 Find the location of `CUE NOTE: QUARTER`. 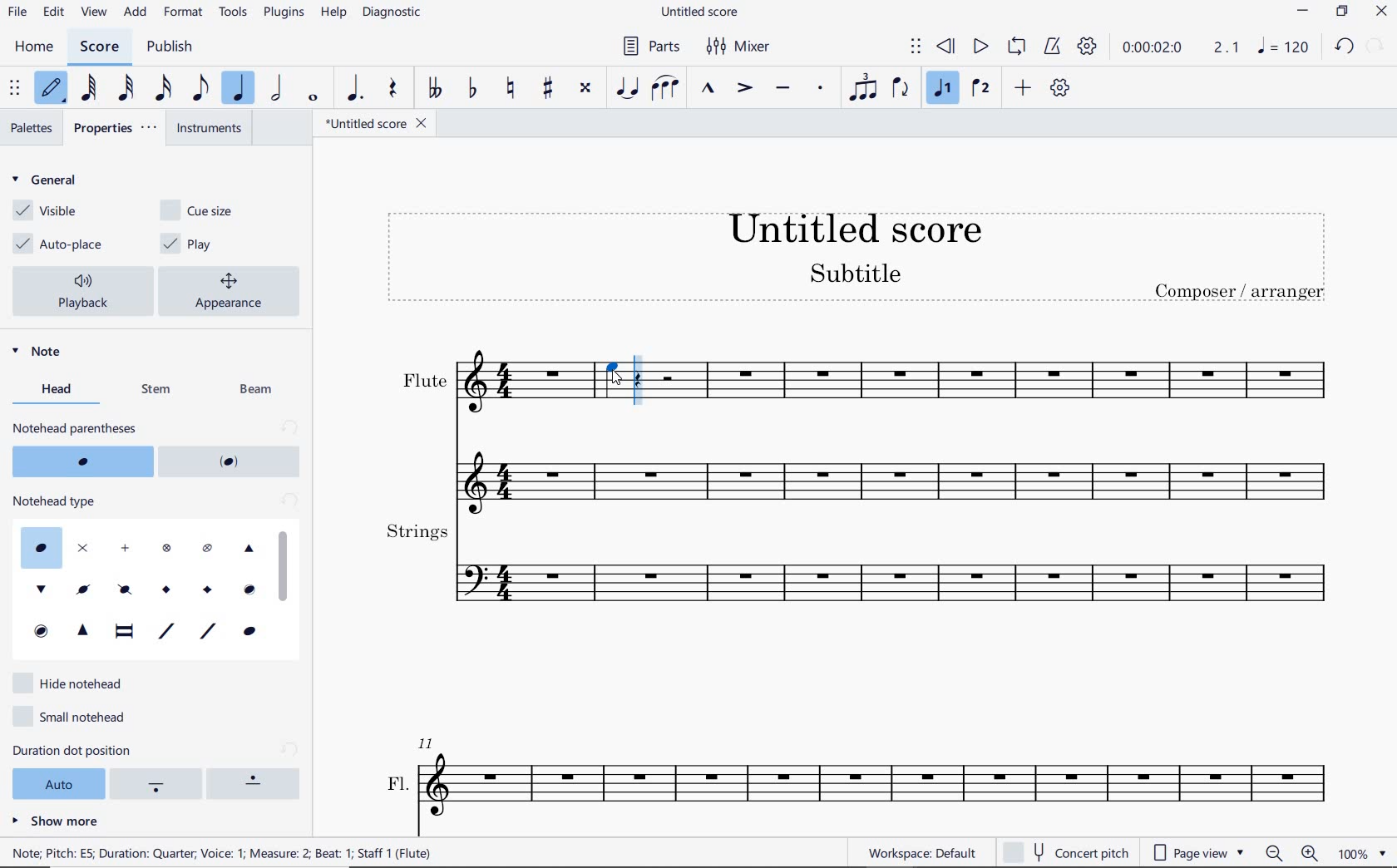

CUE NOTE: QUARTER is located at coordinates (611, 382).